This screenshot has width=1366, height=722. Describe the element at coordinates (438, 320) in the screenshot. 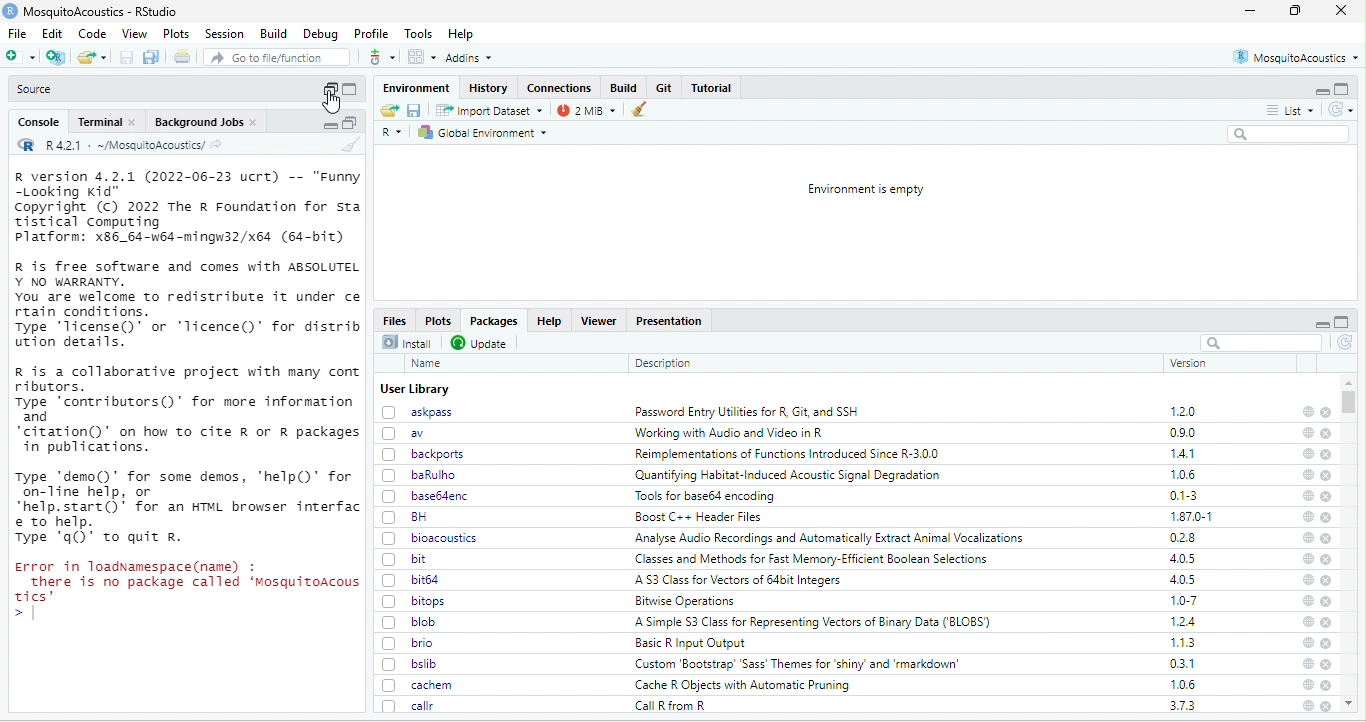

I see `Plots` at that location.